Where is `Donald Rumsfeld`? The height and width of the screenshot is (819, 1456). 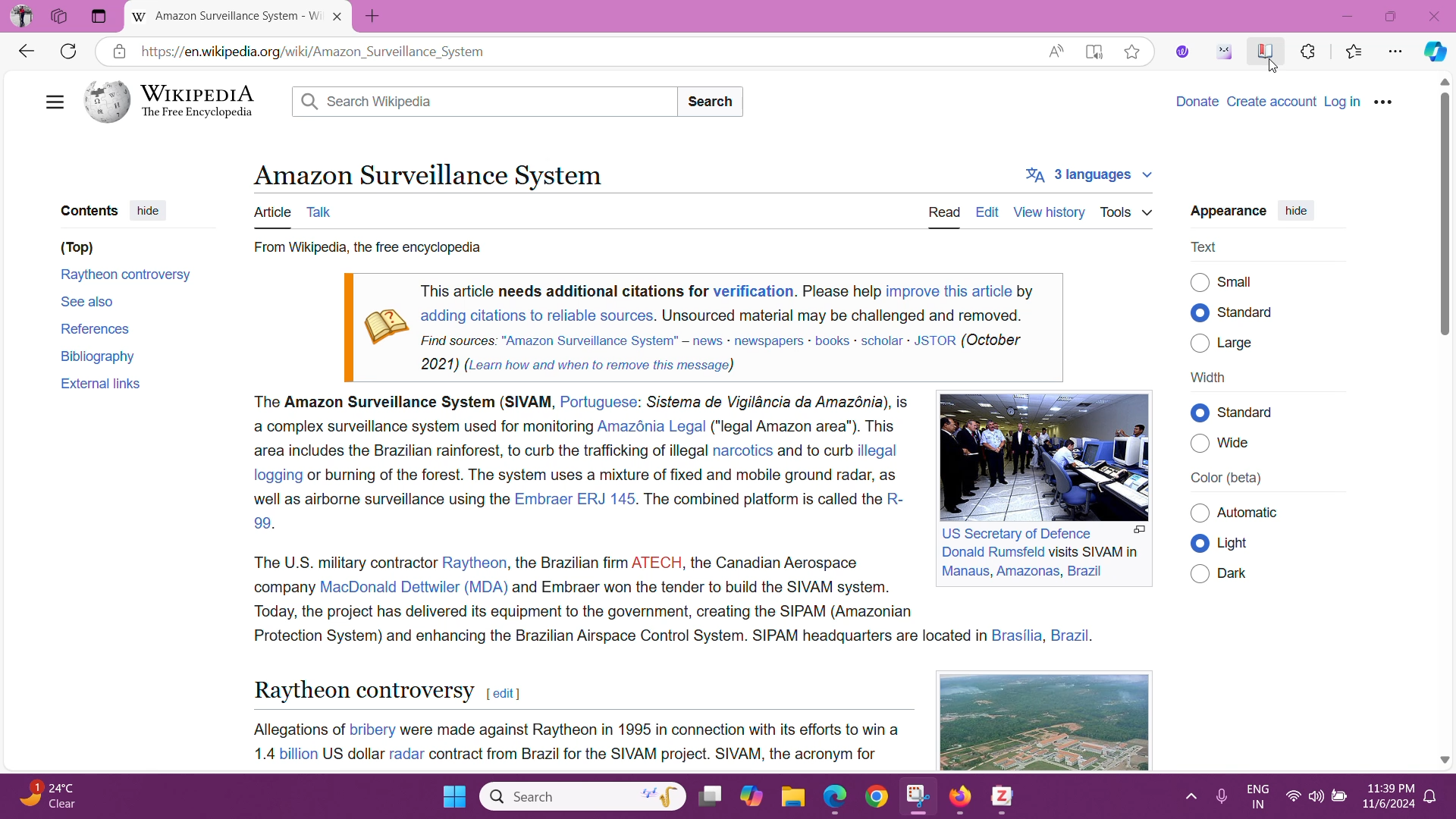
Donald Rumsfeld is located at coordinates (992, 553).